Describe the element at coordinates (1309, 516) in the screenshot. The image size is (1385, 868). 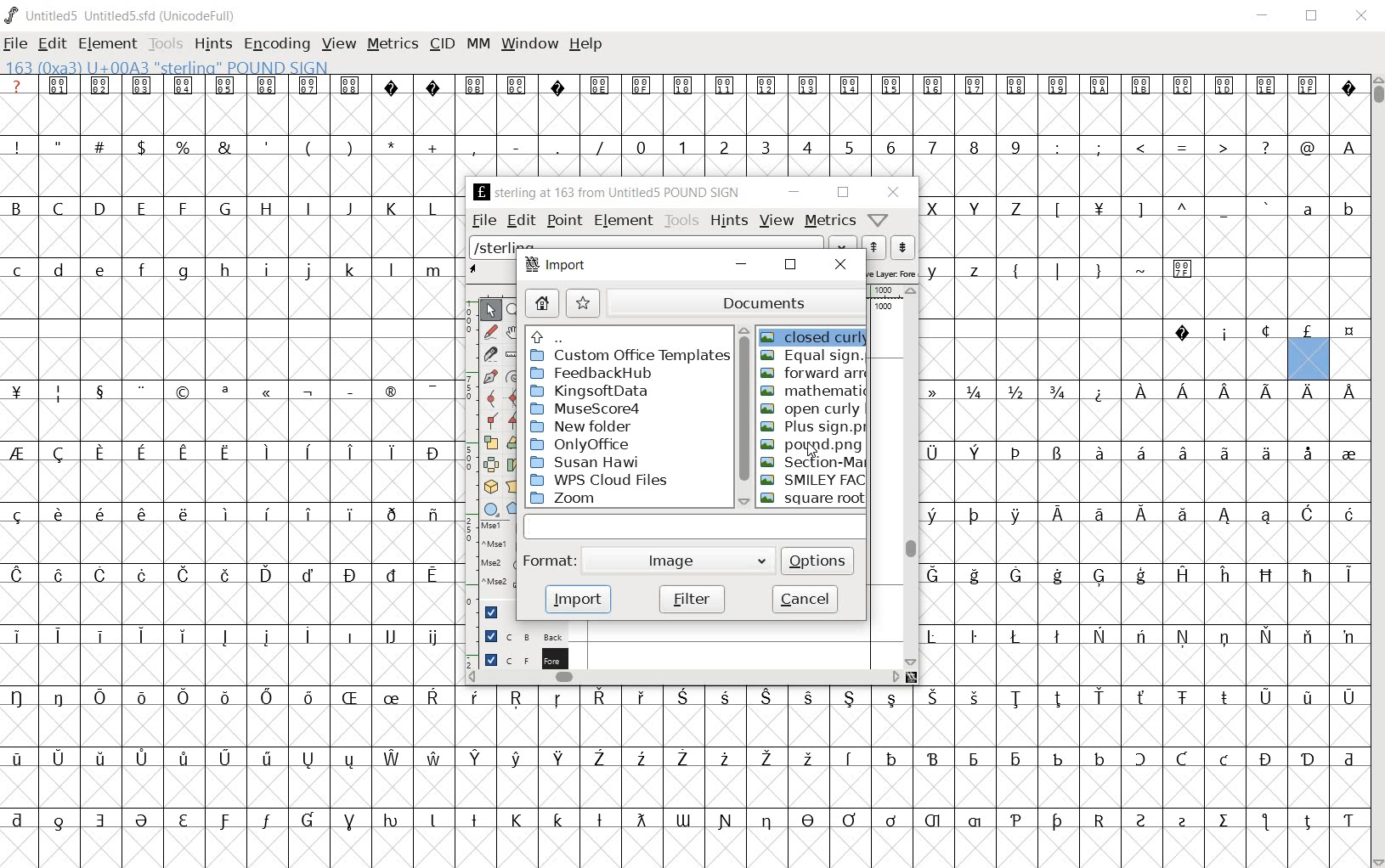
I see `Symbol` at that location.